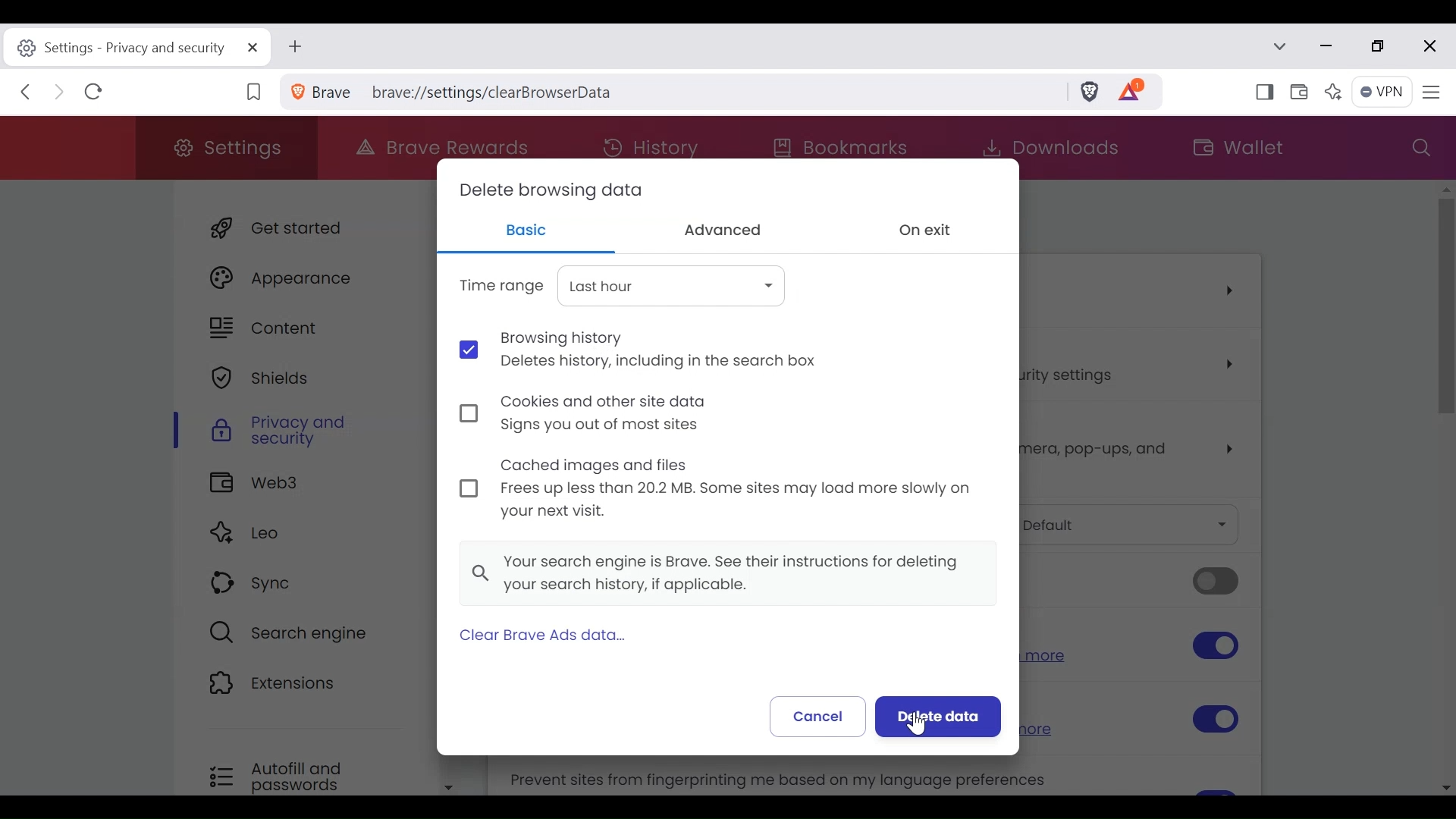 This screenshot has height=819, width=1456. What do you see at coordinates (303, 431) in the screenshot?
I see `Privacy and Security` at bounding box center [303, 431].